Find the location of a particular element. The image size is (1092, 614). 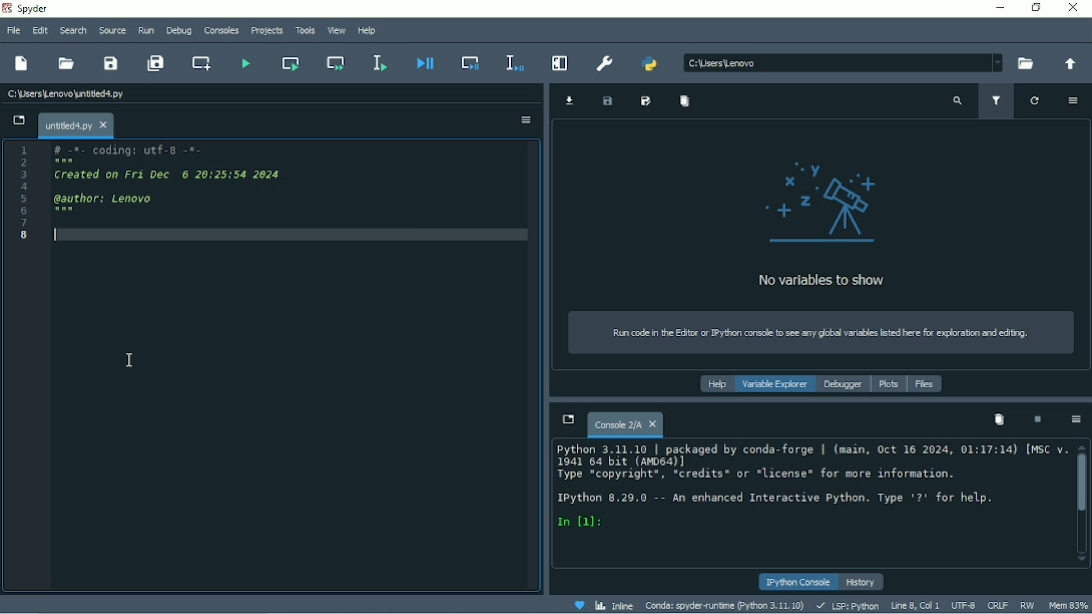

Run current cell and go to the next one is located at coordinates (334, 61).